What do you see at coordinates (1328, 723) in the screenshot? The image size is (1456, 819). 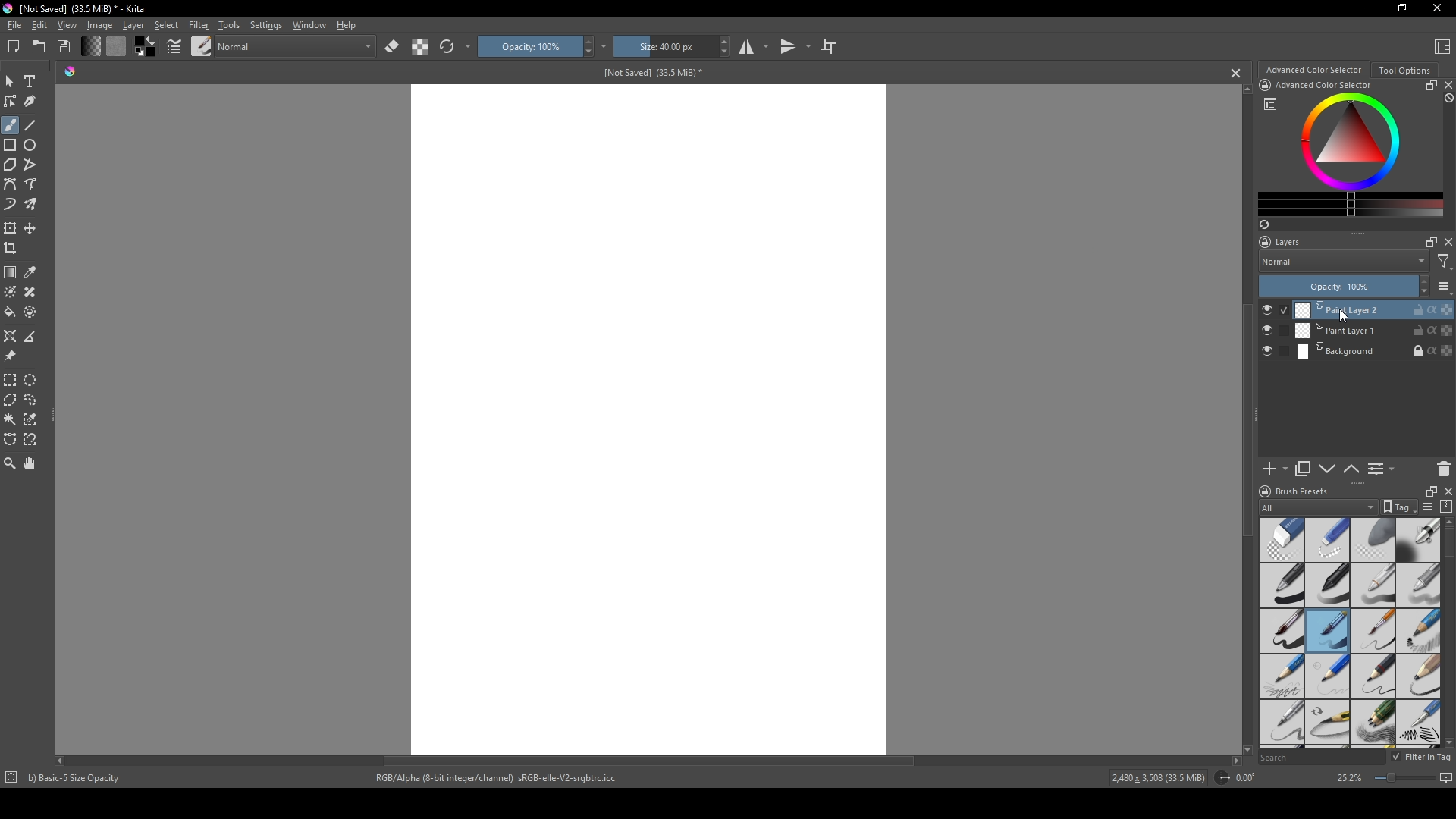 I see `pencil` at bounding box center [1328, 723].